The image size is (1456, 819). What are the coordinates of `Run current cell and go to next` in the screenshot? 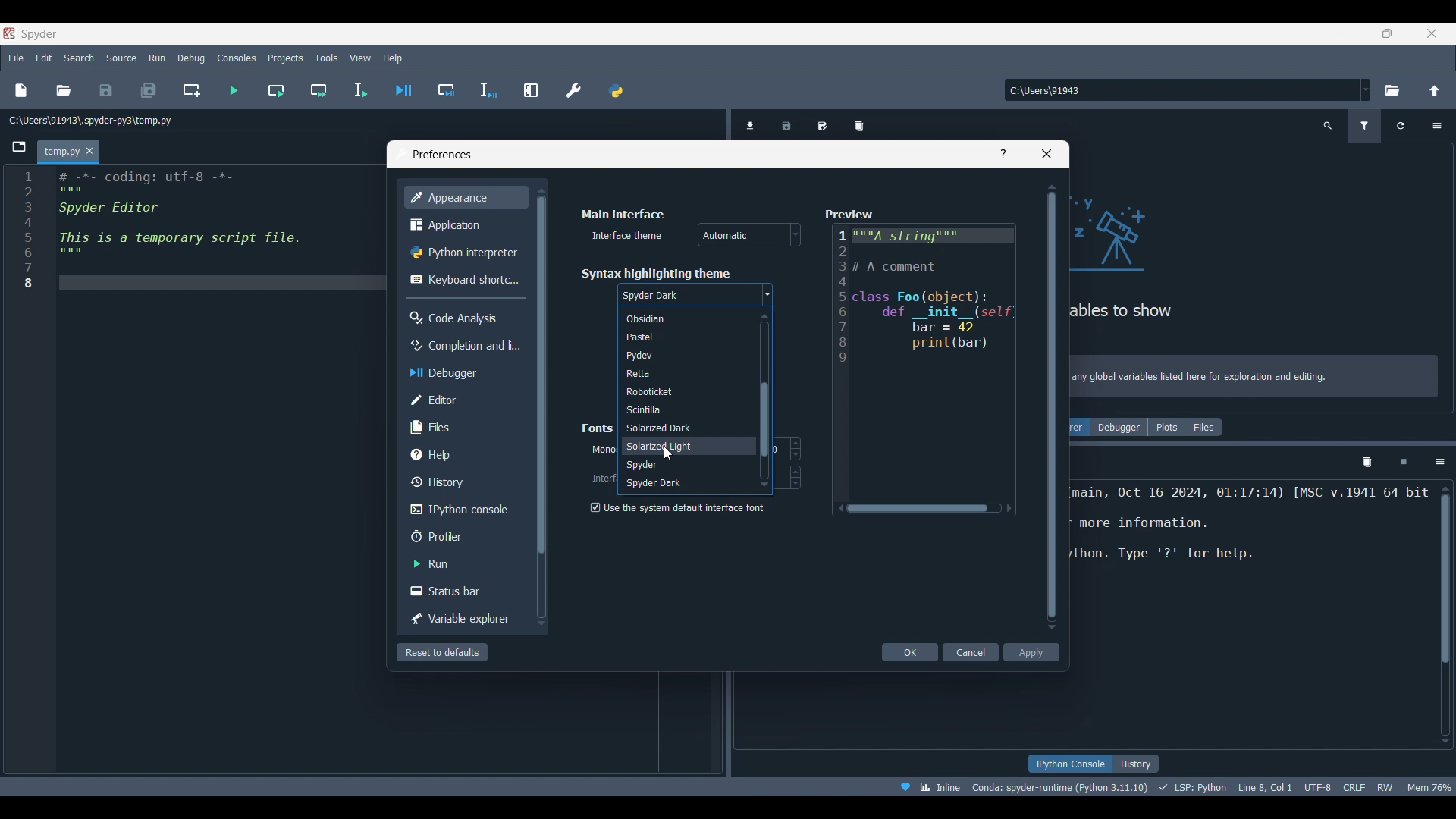 It's located at (319, 90).